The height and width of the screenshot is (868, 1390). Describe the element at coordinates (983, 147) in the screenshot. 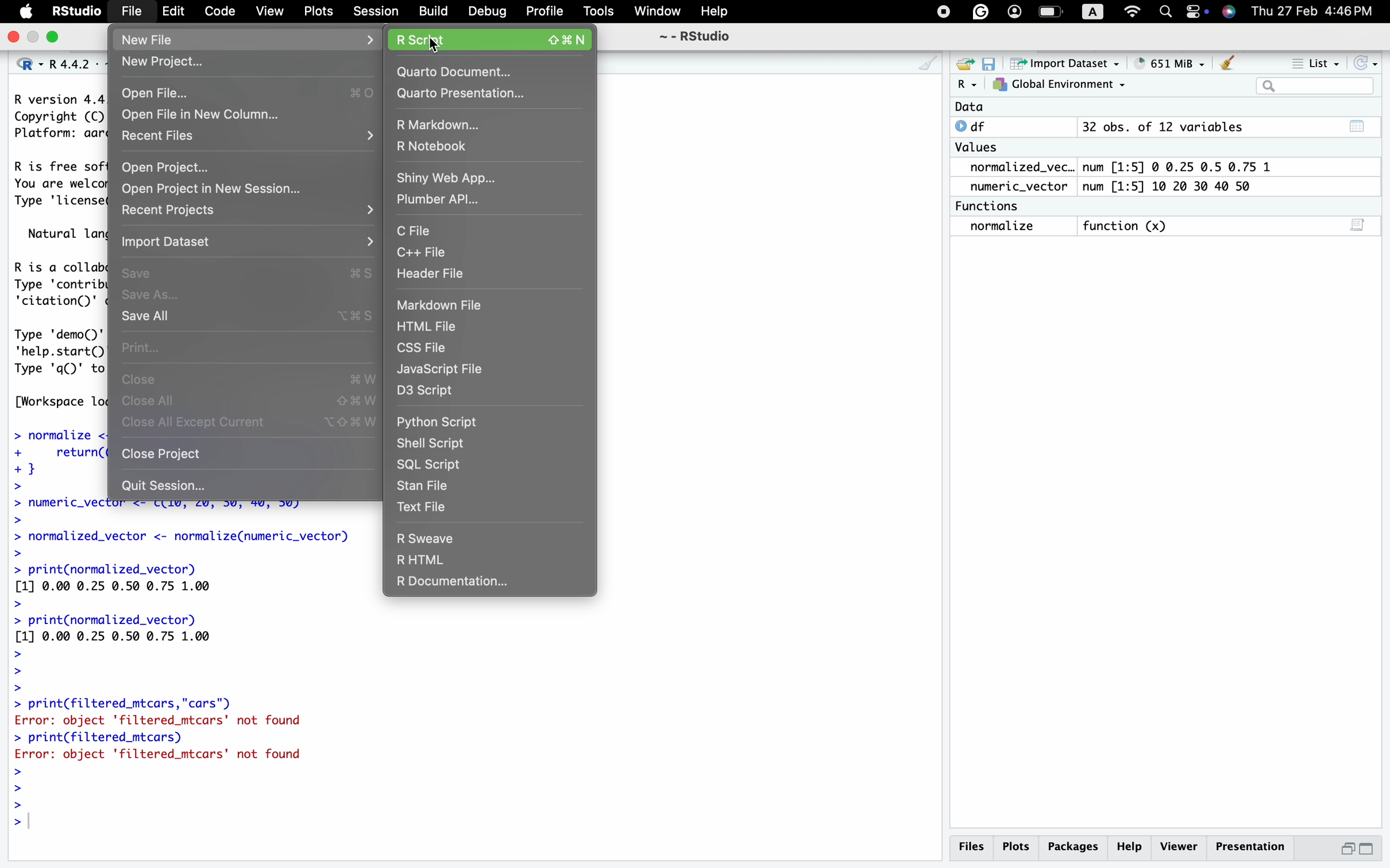

I see `Values` at that location.